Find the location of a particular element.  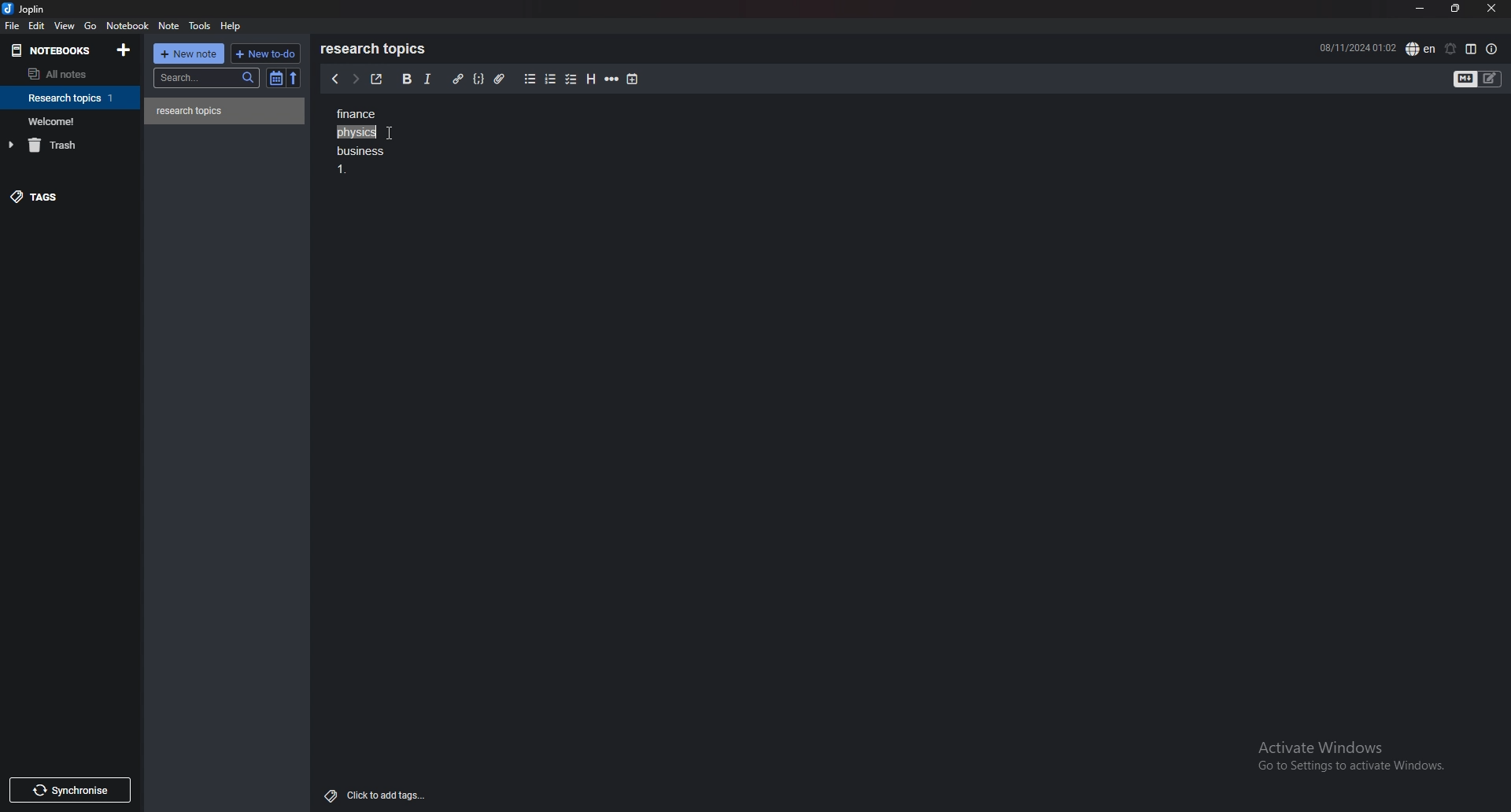

toggle editor is located at coordinates (1479, 79).